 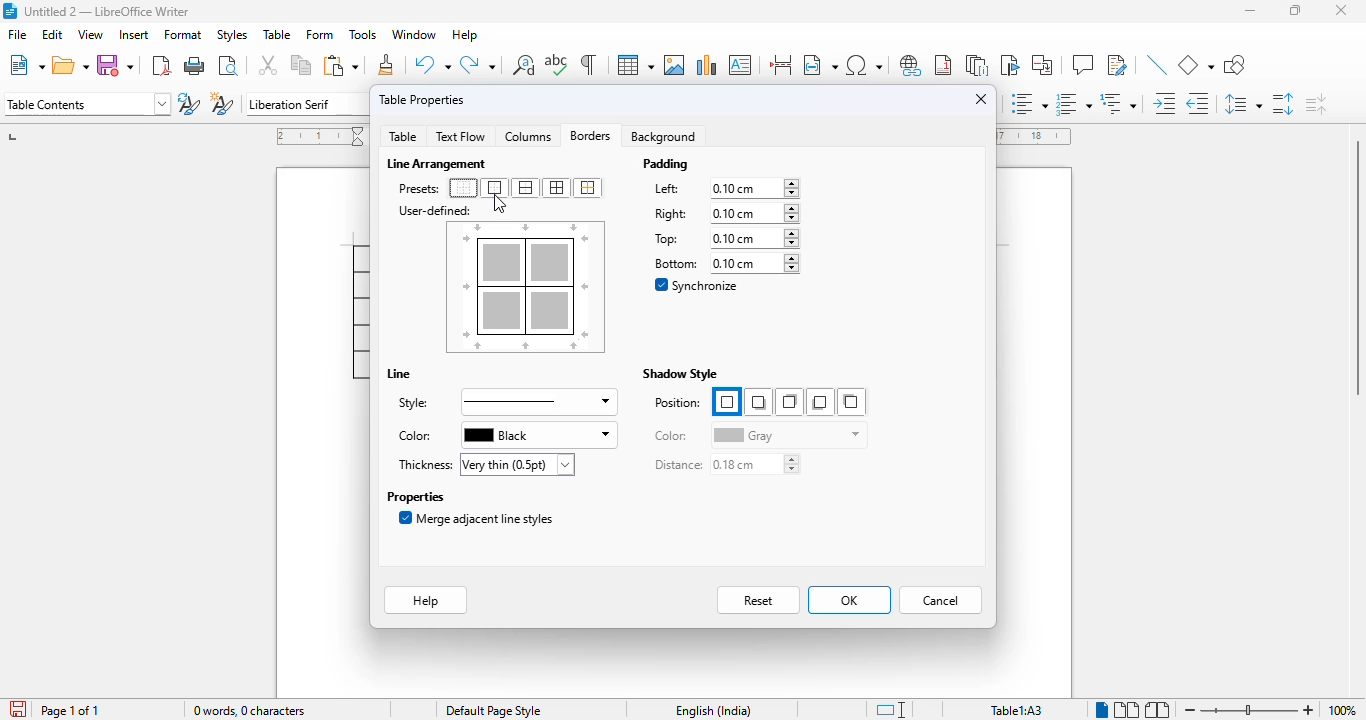 What do you see at coordinates (16, 35) in the screenshot?
I see `file` at bounding box center [16, 35].